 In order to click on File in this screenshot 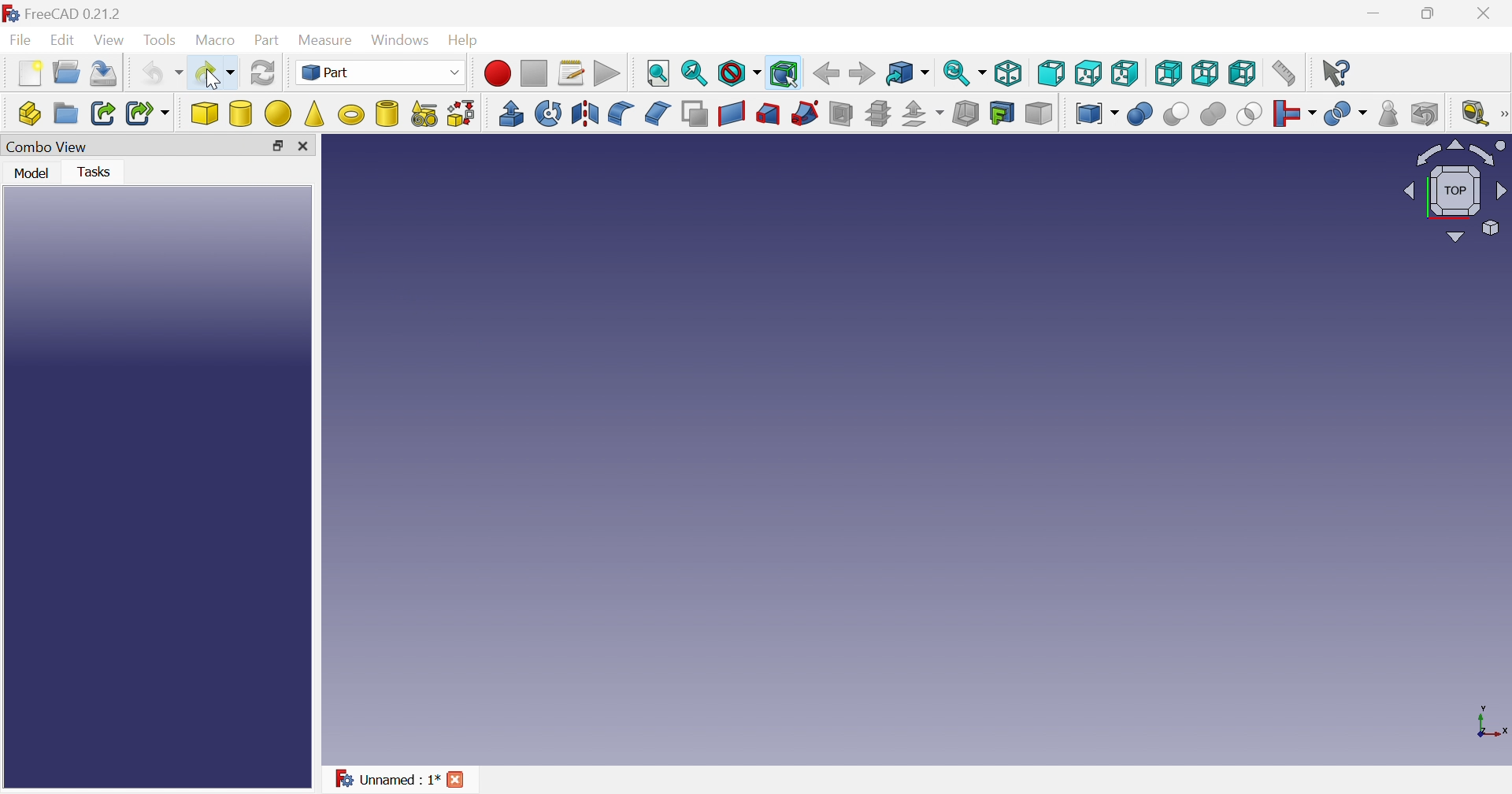, I will do `click(20, 40)`.